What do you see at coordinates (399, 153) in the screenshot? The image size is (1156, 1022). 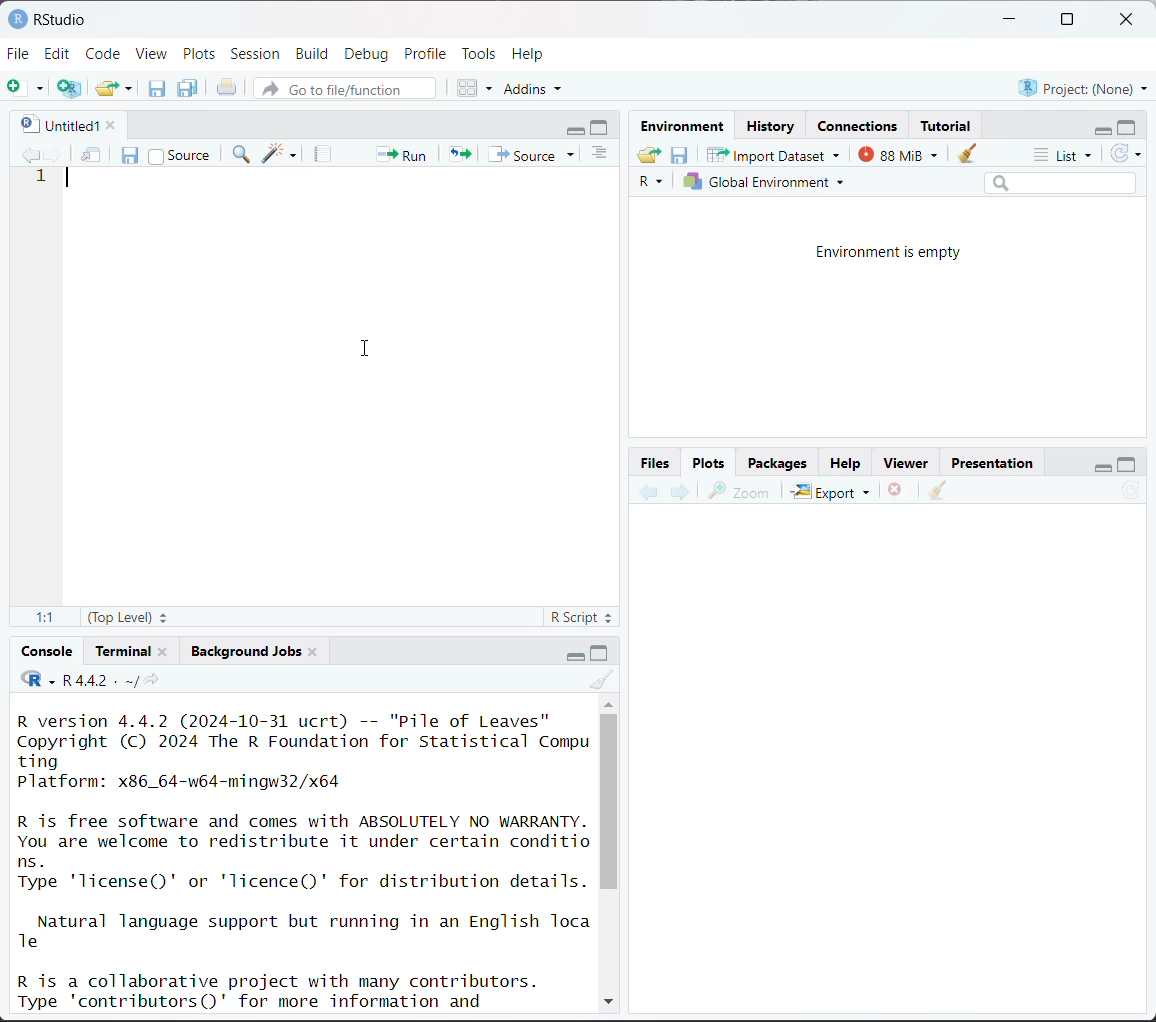 I see `run` at bounding box center [399, 153].